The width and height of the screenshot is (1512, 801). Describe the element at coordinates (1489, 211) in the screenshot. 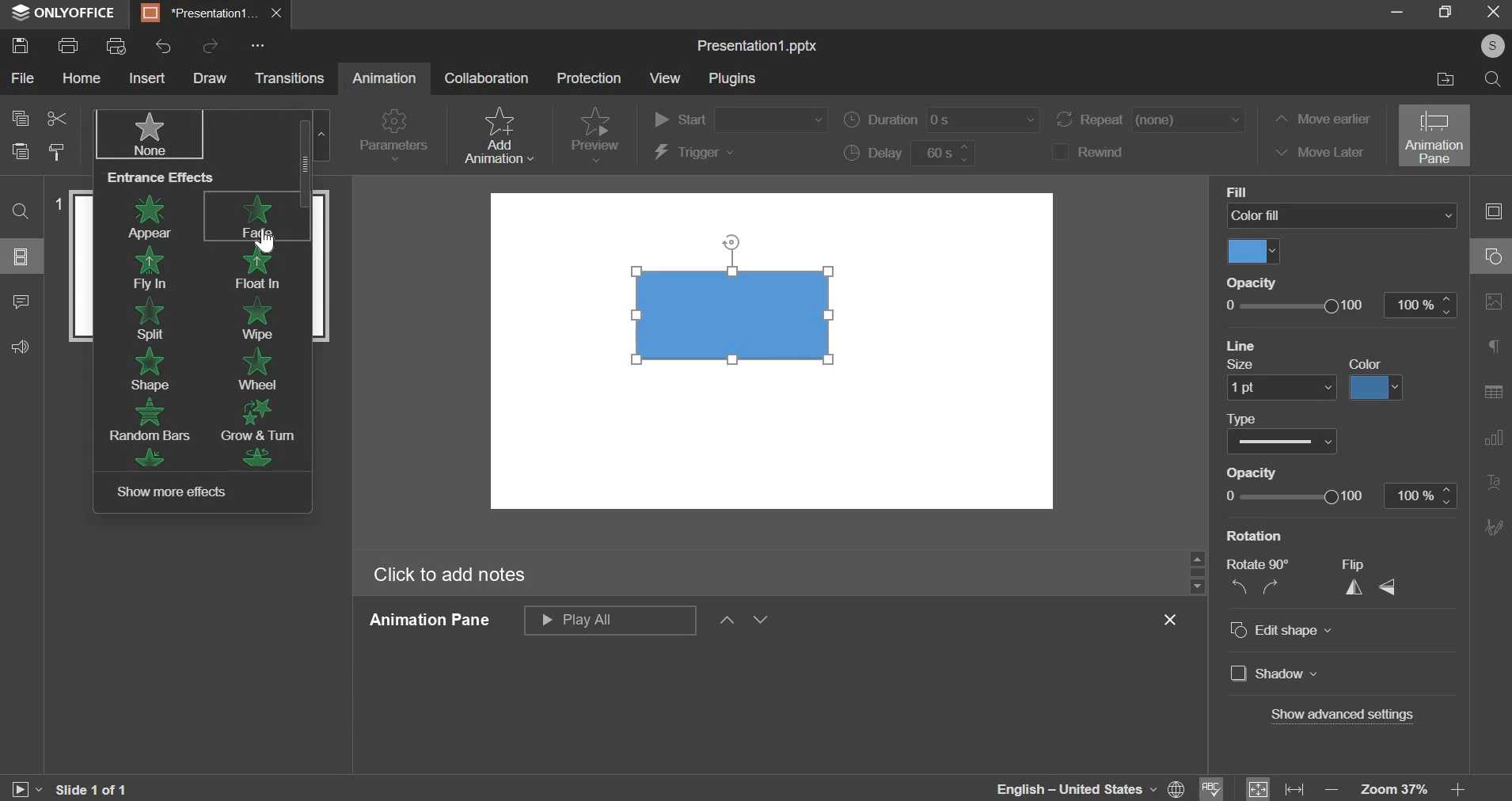

I see `collapse/expand panel` at that location.